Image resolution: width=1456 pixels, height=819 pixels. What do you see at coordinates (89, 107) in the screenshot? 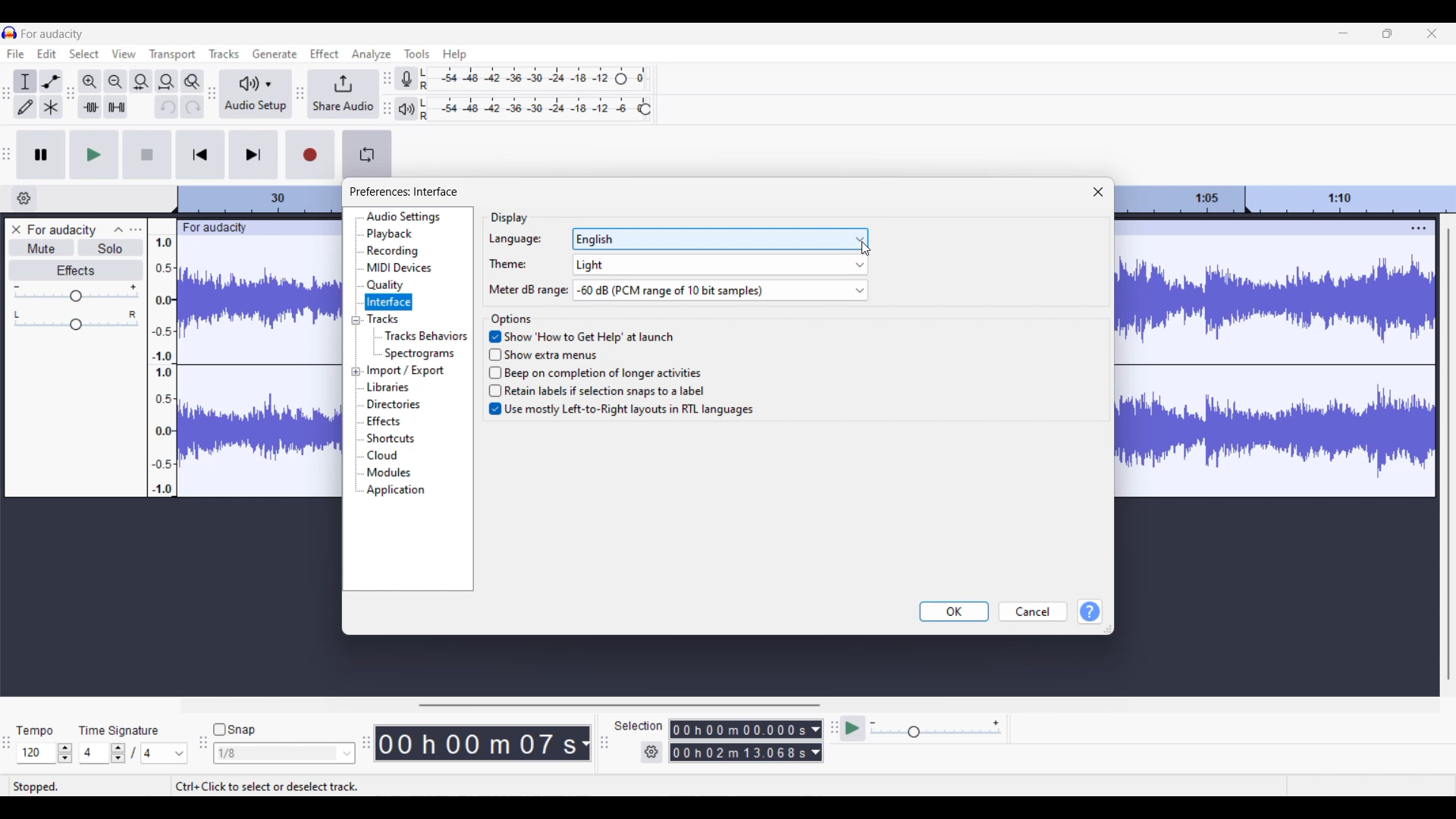
I see `Trim audio selection` at bounding box center [89, 107].